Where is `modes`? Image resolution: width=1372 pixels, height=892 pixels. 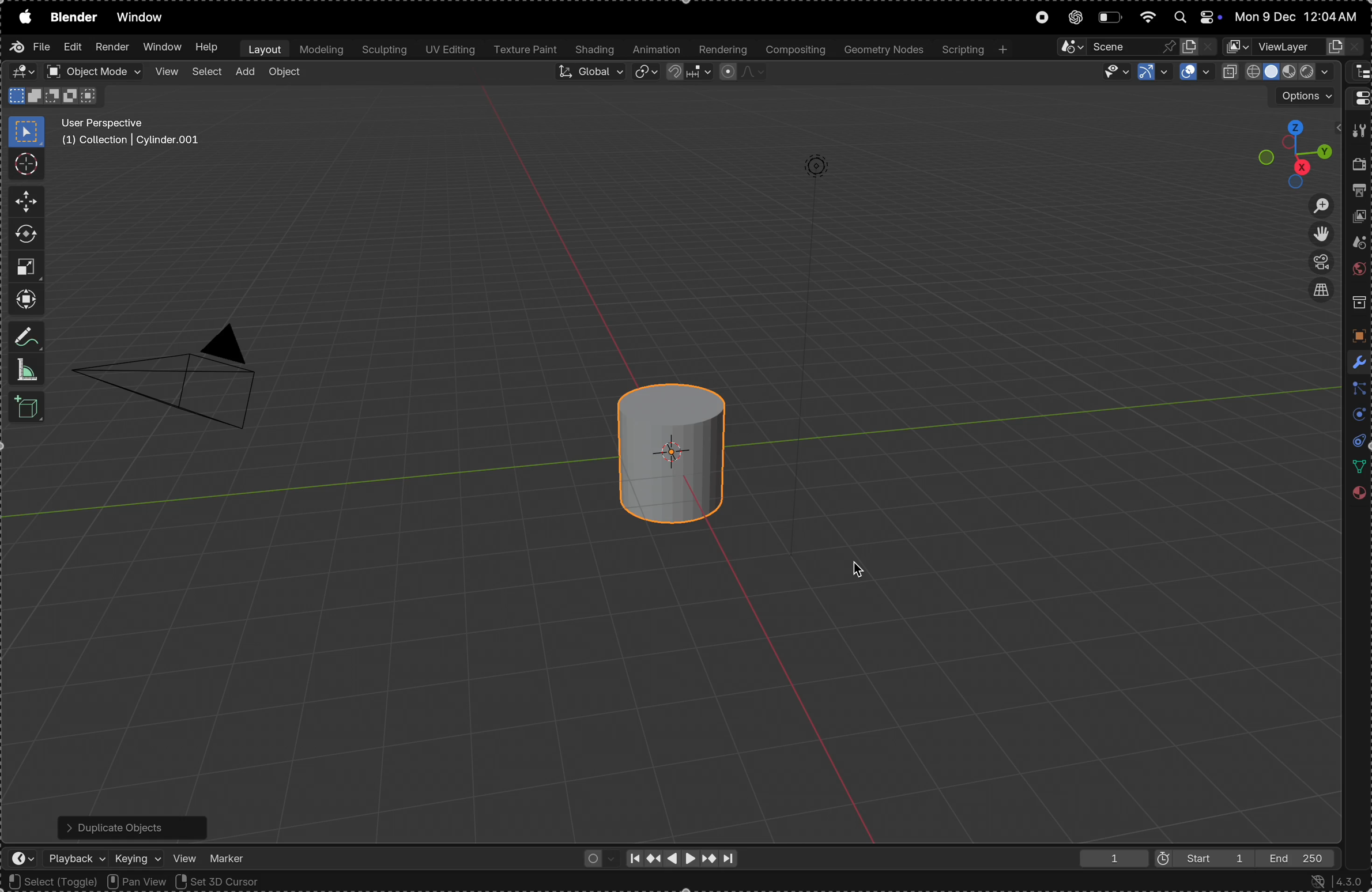 modes is located at coordinates (51, 95).